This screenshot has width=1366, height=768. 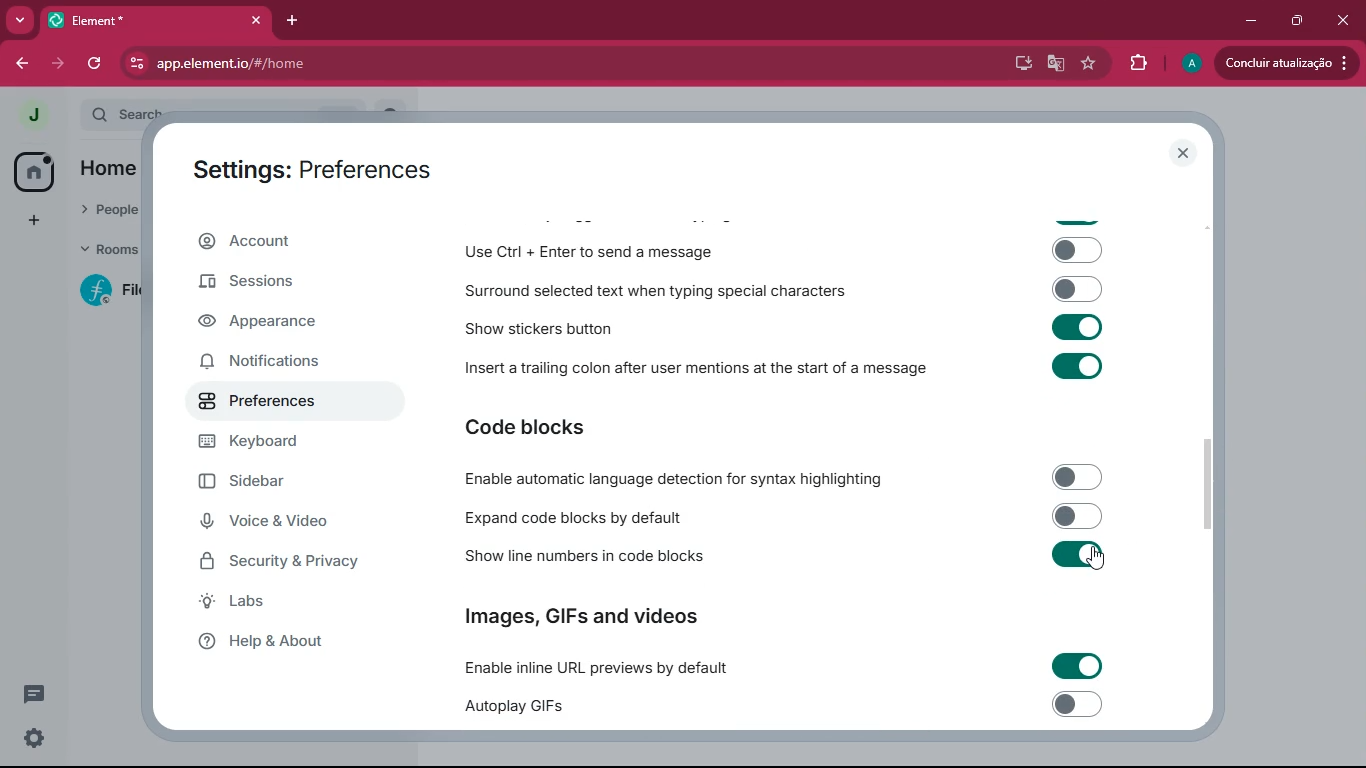 What do you see at coordinates (777, 478) in the screenshot?
I see `Enable automatic language detection for syntax highlighting` at bounding box center [777, 478].